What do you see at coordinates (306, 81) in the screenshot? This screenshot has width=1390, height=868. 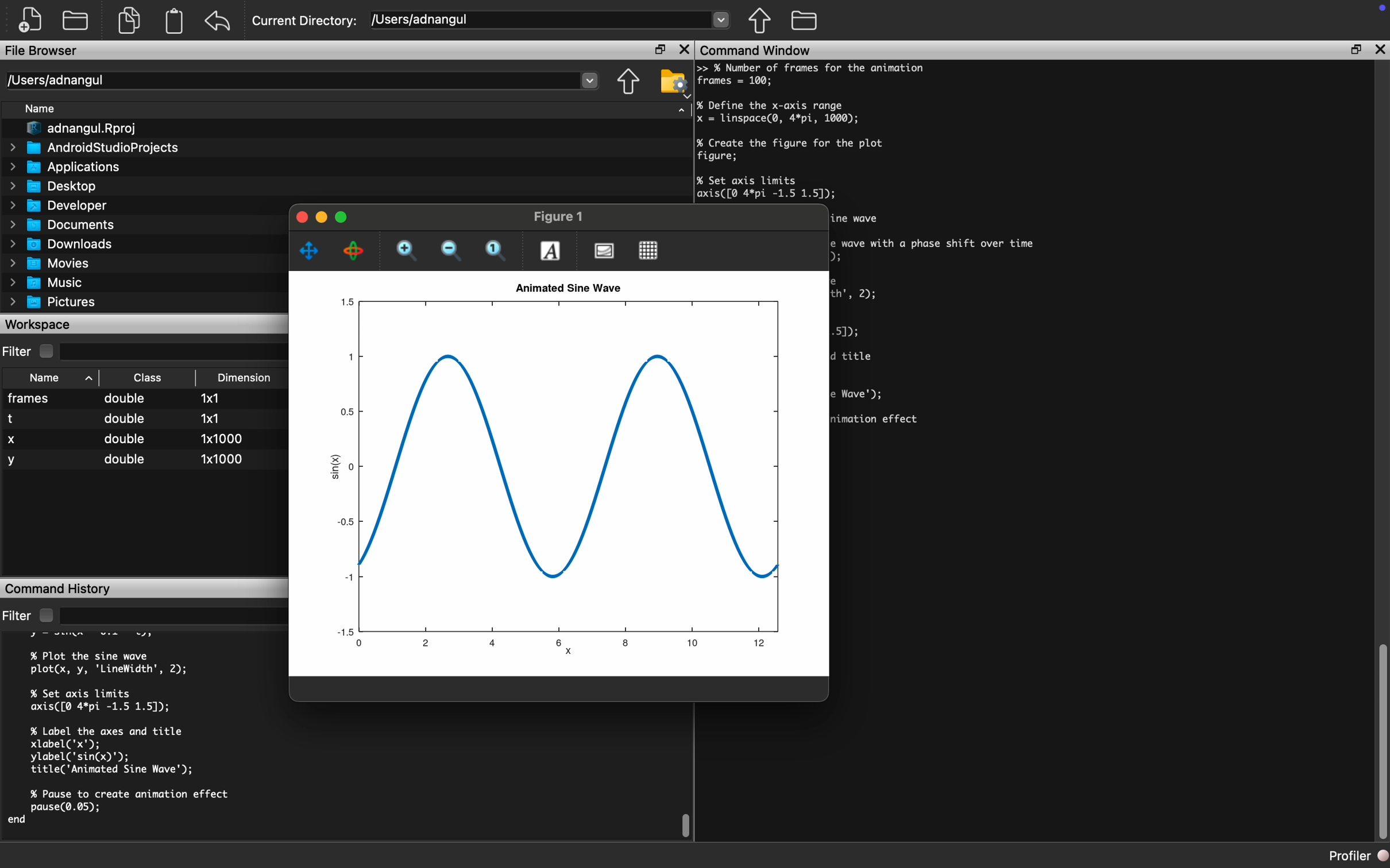 I see `/Users/adnangul 2` at bounding box center [306, 81].